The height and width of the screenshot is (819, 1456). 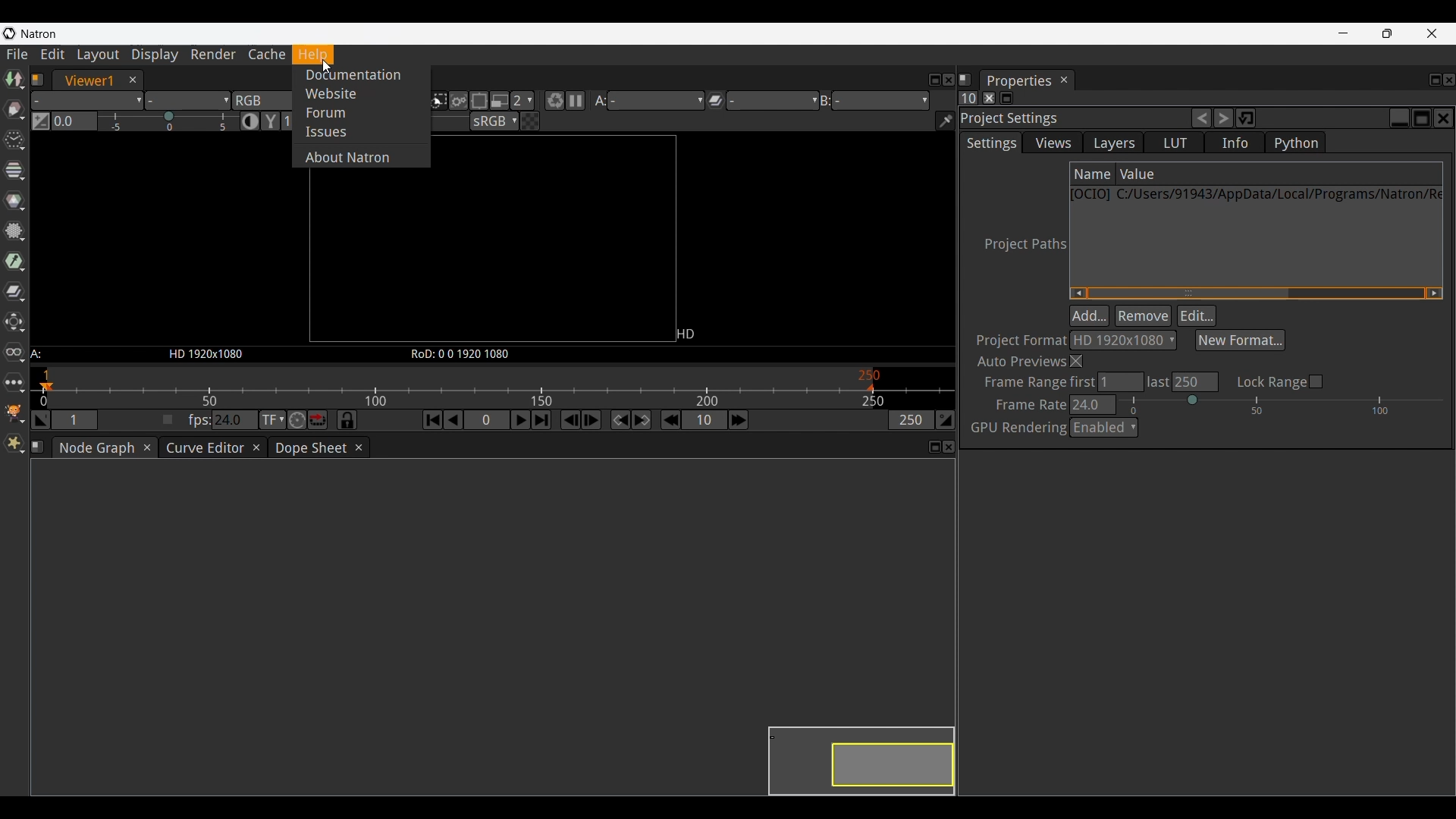 I want to click on Synchronize current frame range with dope sheet and curve editor, so click(x=347, y=419).